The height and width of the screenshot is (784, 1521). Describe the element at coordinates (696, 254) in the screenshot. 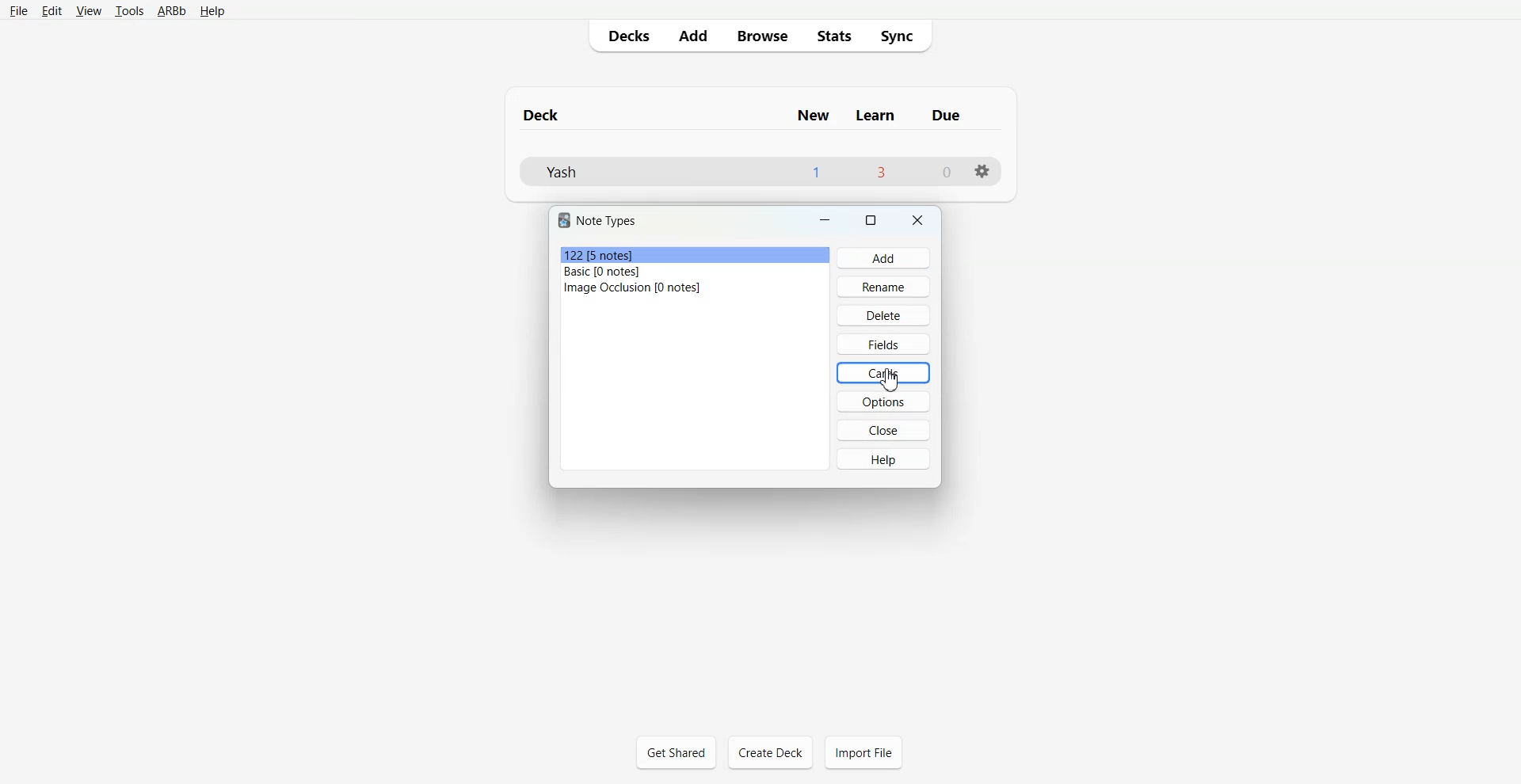

I see `122` at that location.